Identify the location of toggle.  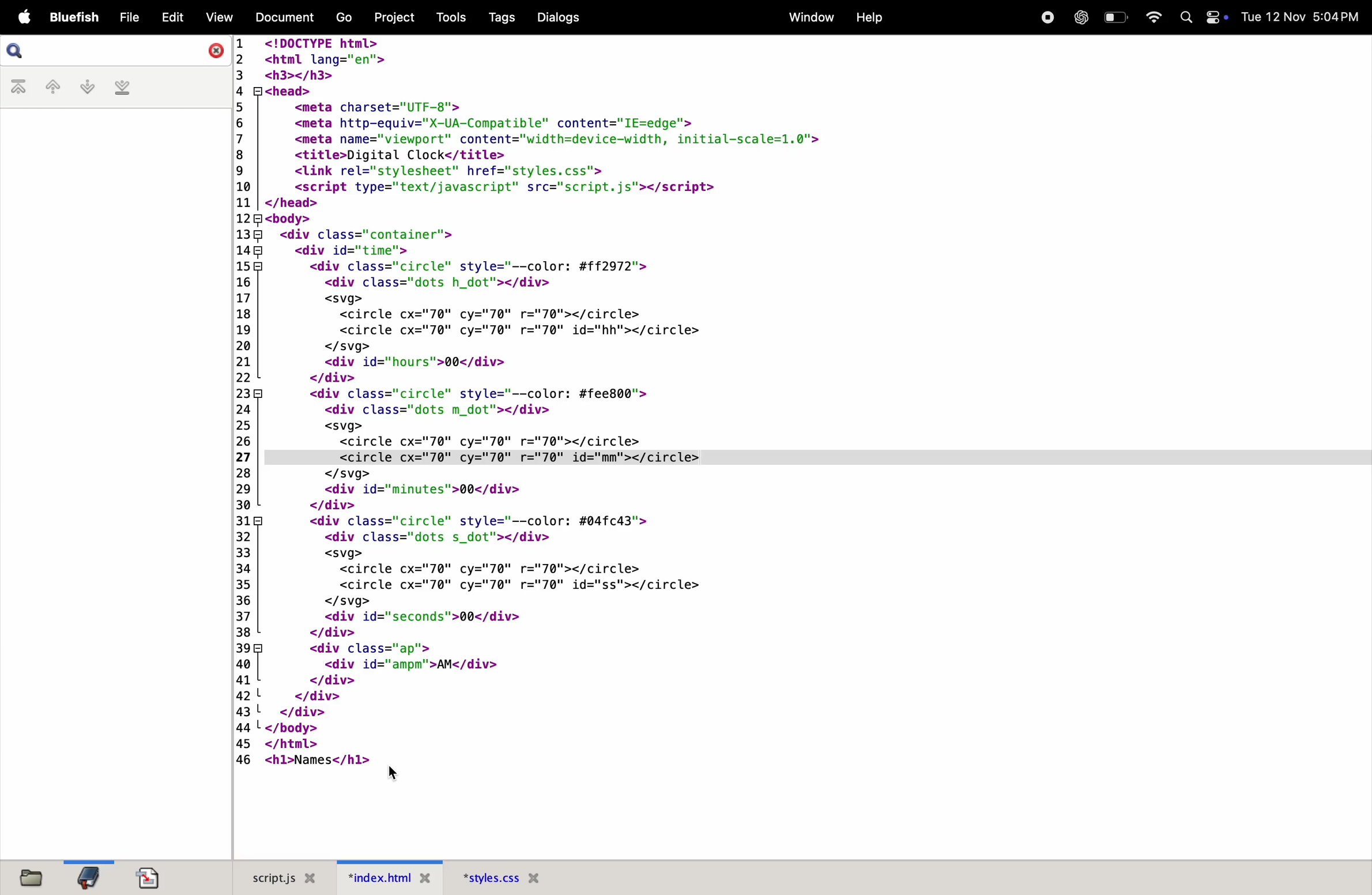
(1216, 17).